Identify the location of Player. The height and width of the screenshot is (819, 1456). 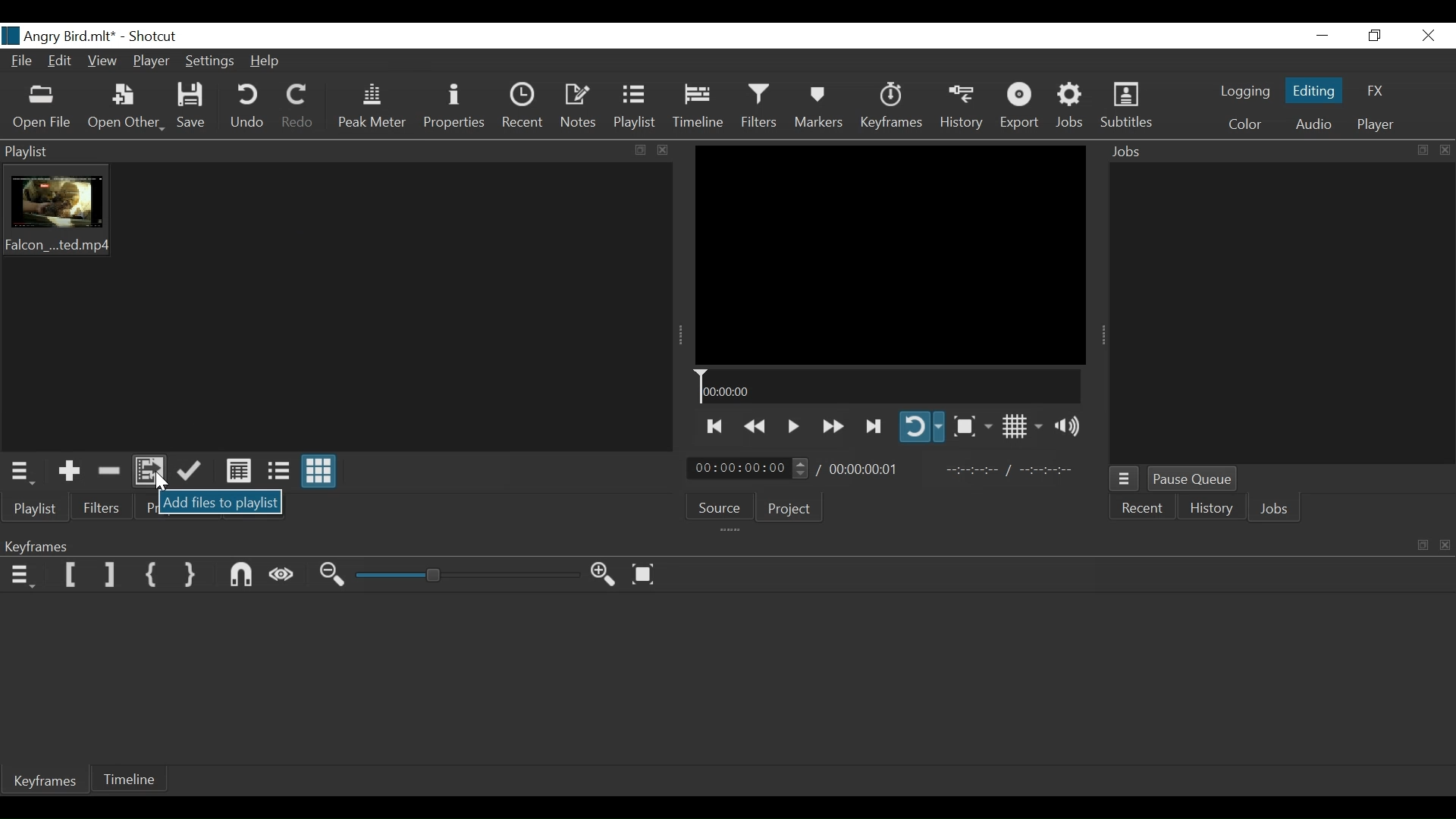
(1378, 124).